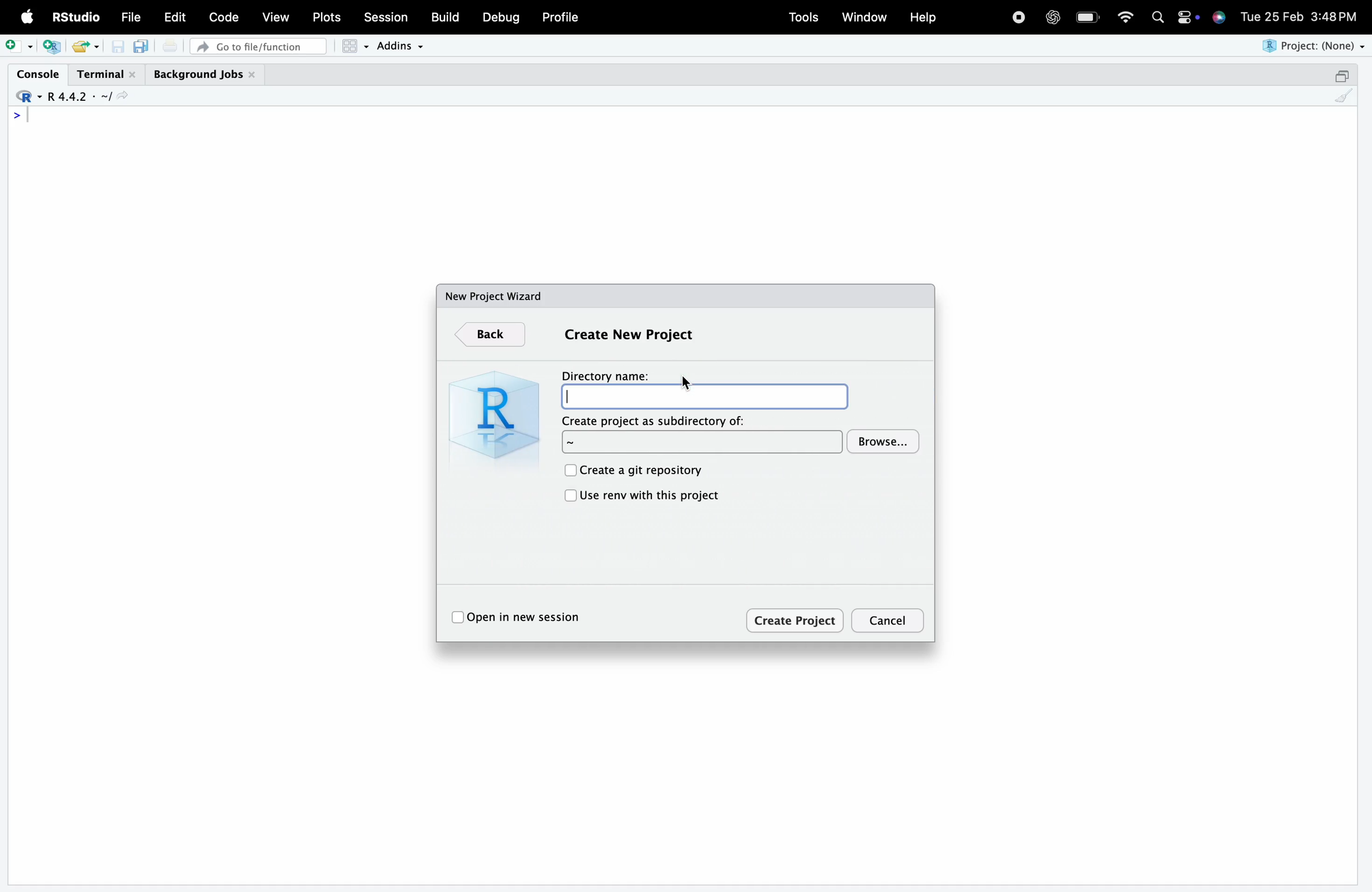 This screenshot has width=1372, height=892. I want to click on Tools, so click(804, 17).